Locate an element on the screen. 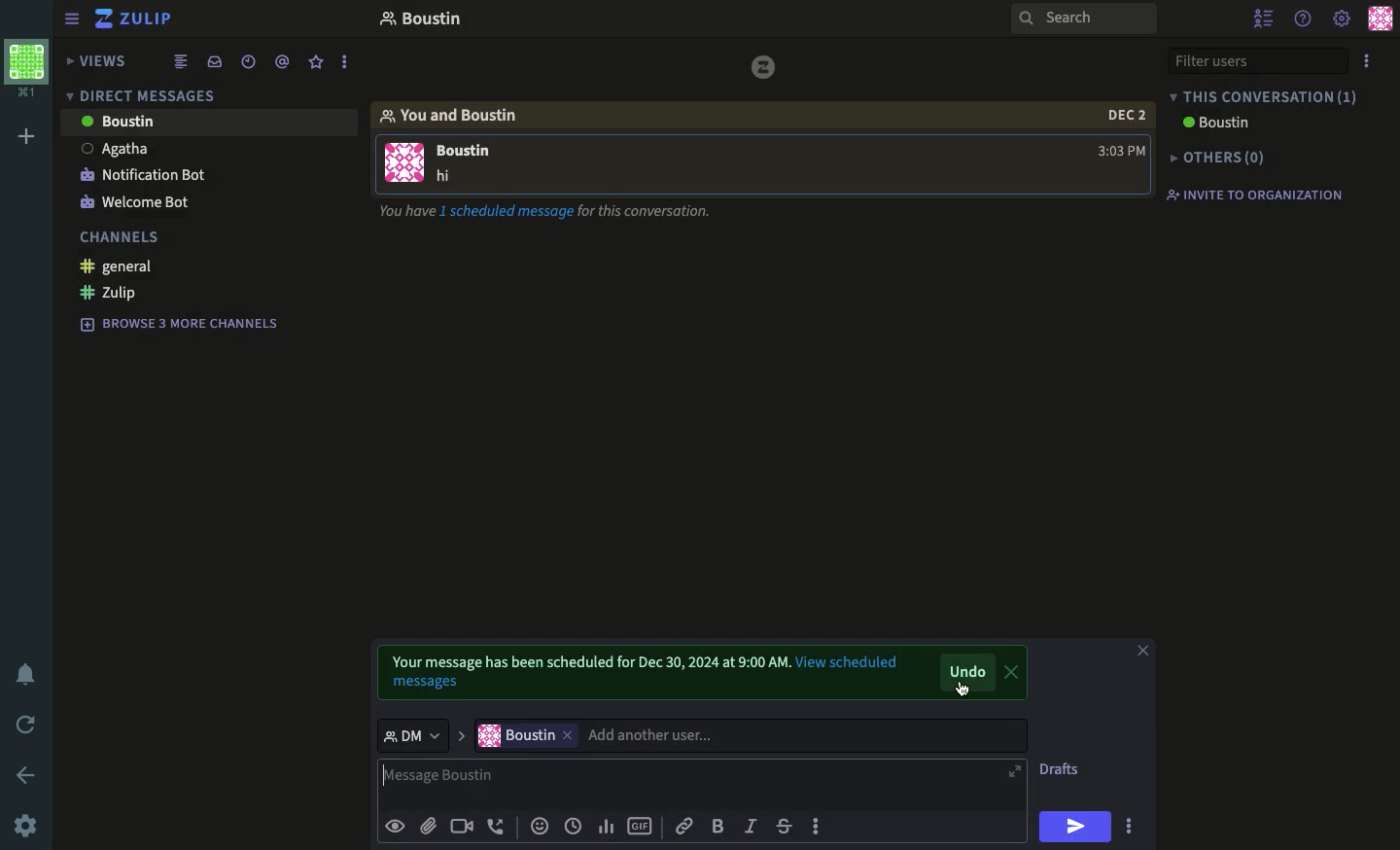 The width and height of the screenshot is (1400, 850). welcome bot is located at coordinates (134, 204).